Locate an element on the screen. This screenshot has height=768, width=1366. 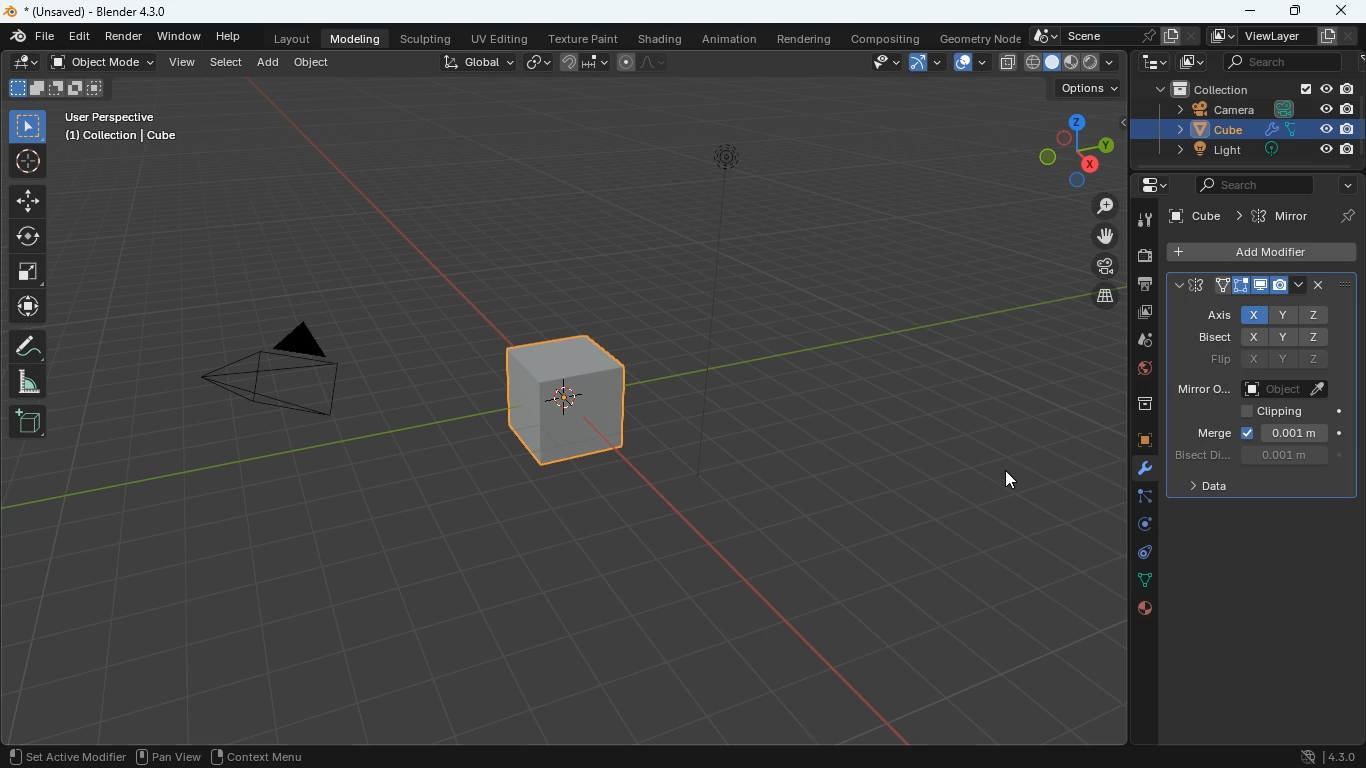
clipping is located at coordinates (1286, 410).